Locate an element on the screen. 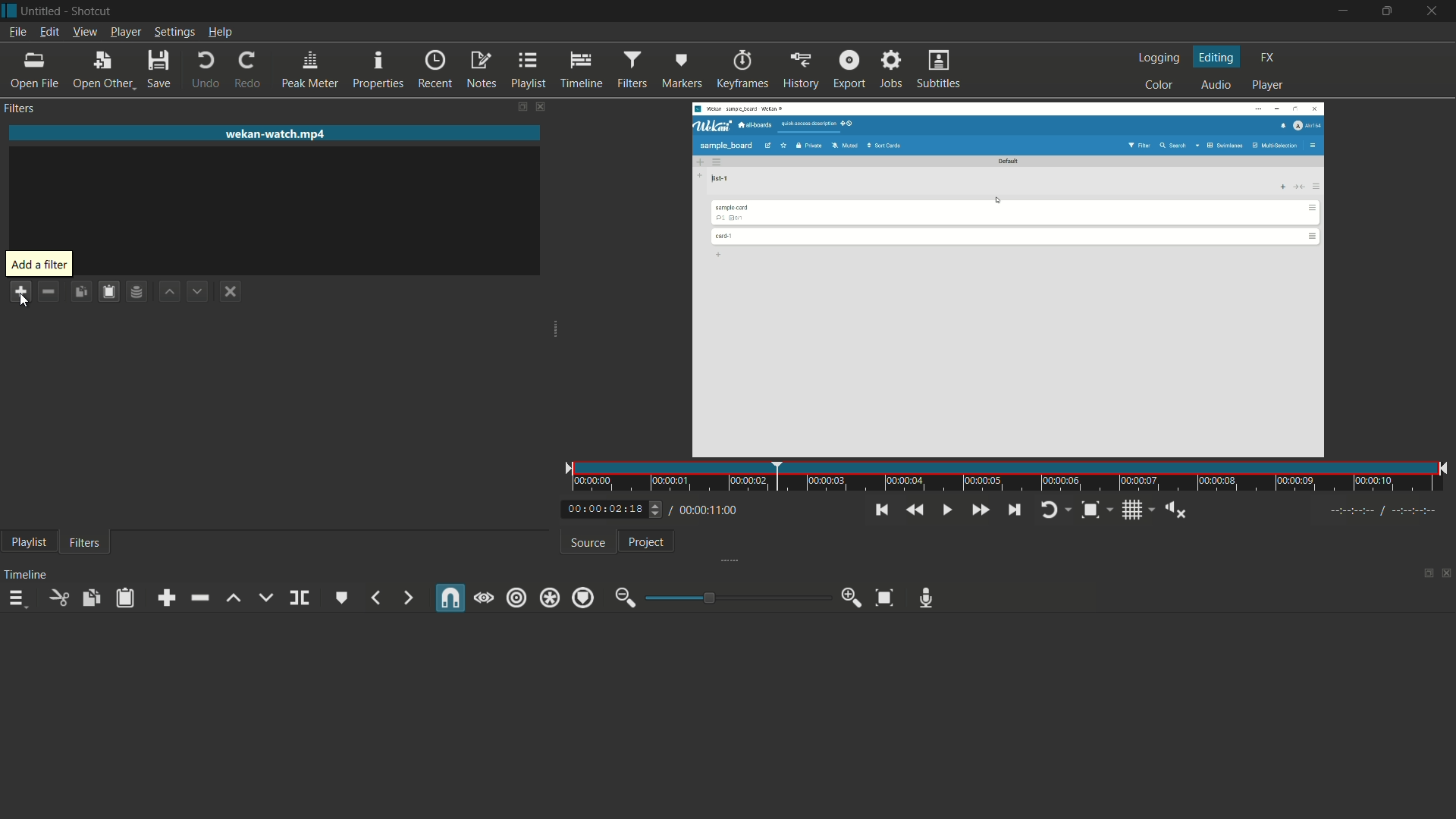  expand is located at coordinates (555, 331).